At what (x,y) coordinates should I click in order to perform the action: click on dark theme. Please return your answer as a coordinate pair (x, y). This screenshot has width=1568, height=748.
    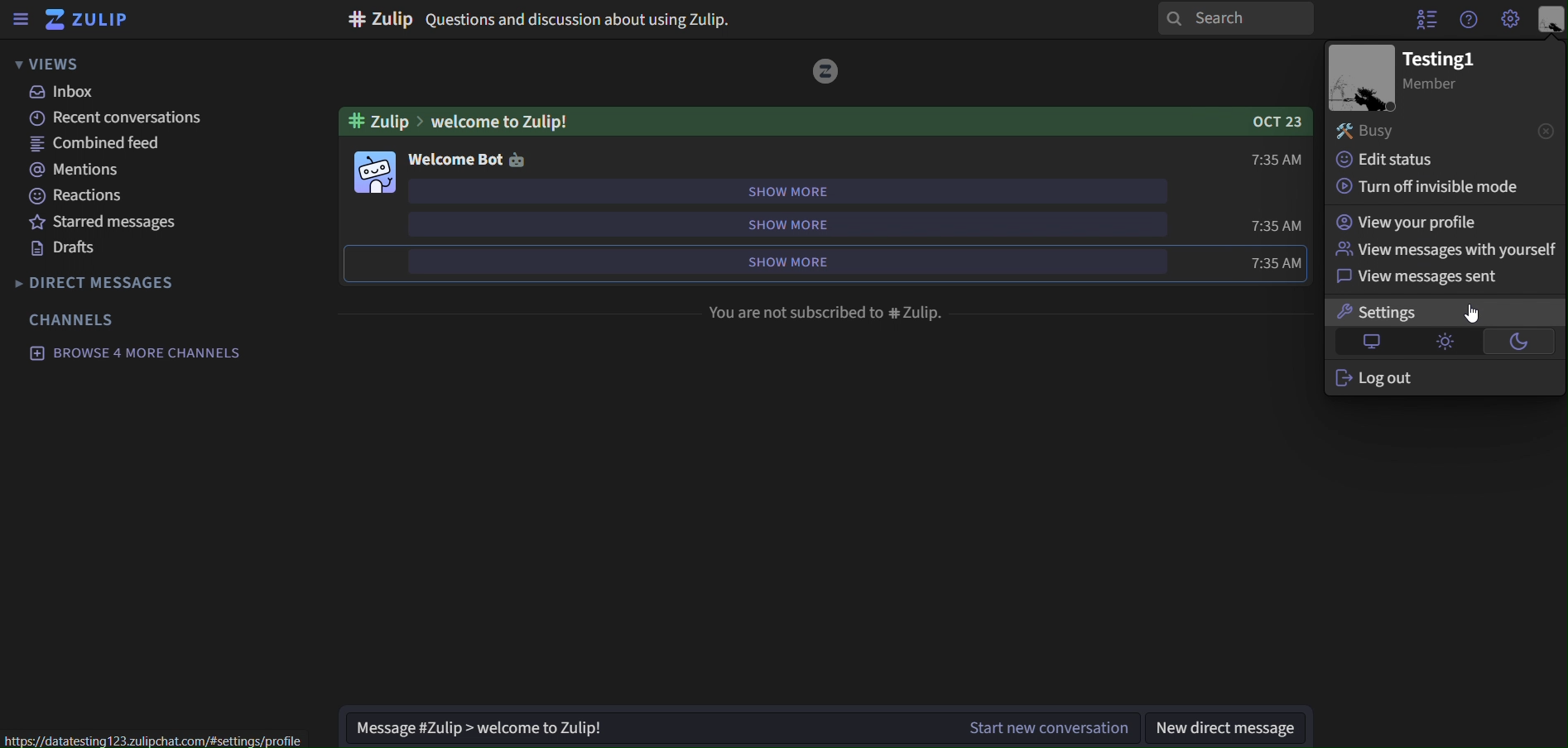
    Looking at the image, I should click on (1520, 342).